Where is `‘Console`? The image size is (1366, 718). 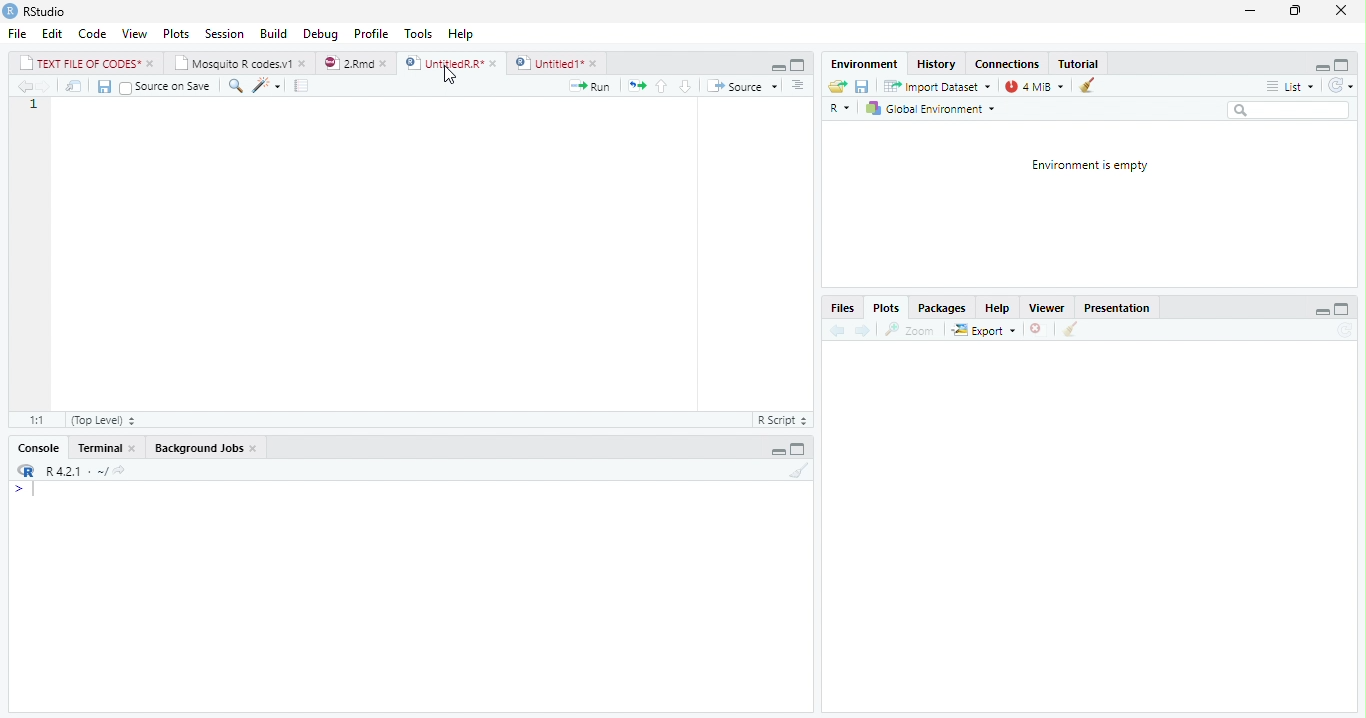
‘Console is located at coordinates (33, 450).